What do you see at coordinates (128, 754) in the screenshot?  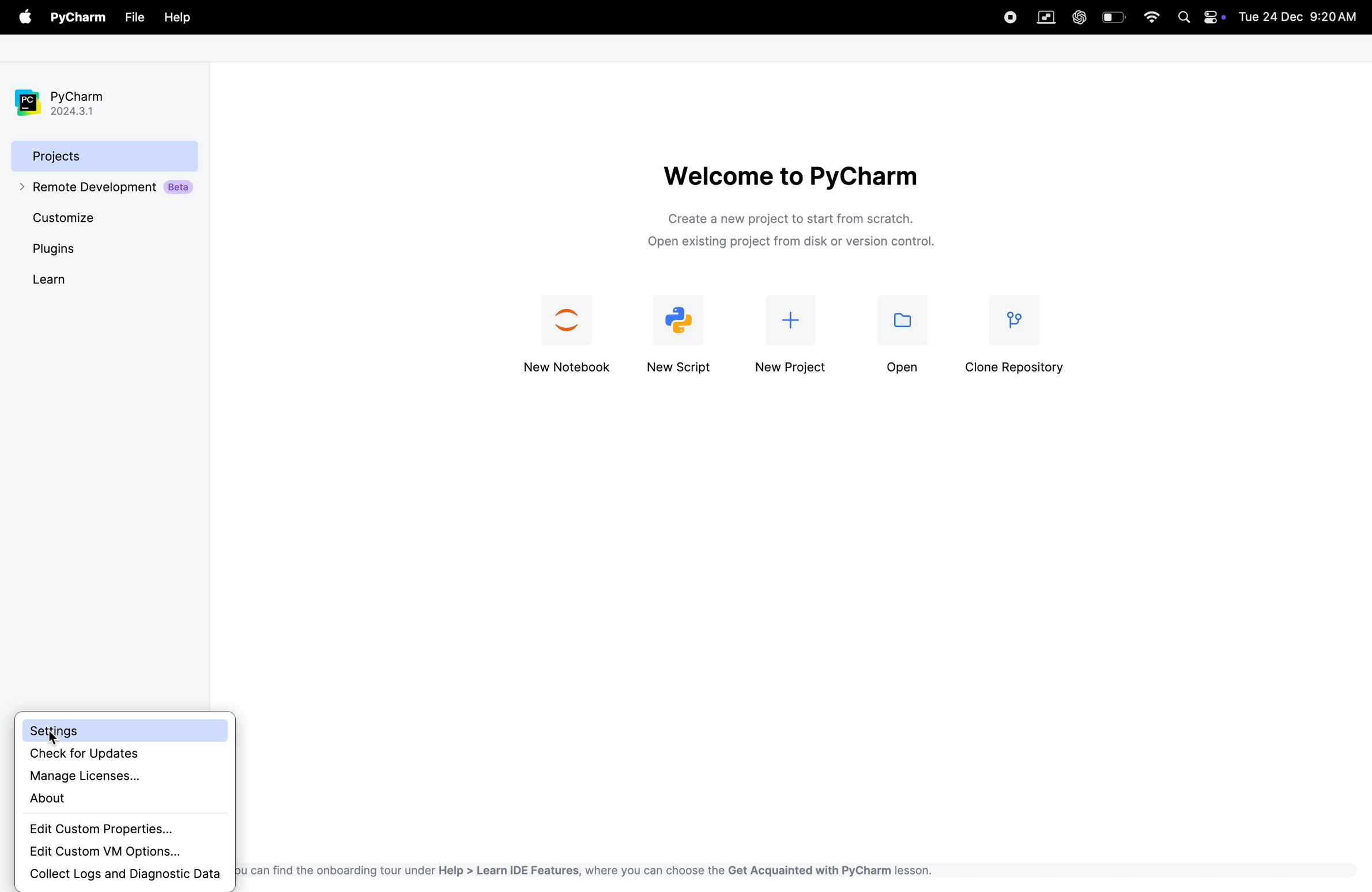 I see `check for updates` at bounding box center [128, 754].